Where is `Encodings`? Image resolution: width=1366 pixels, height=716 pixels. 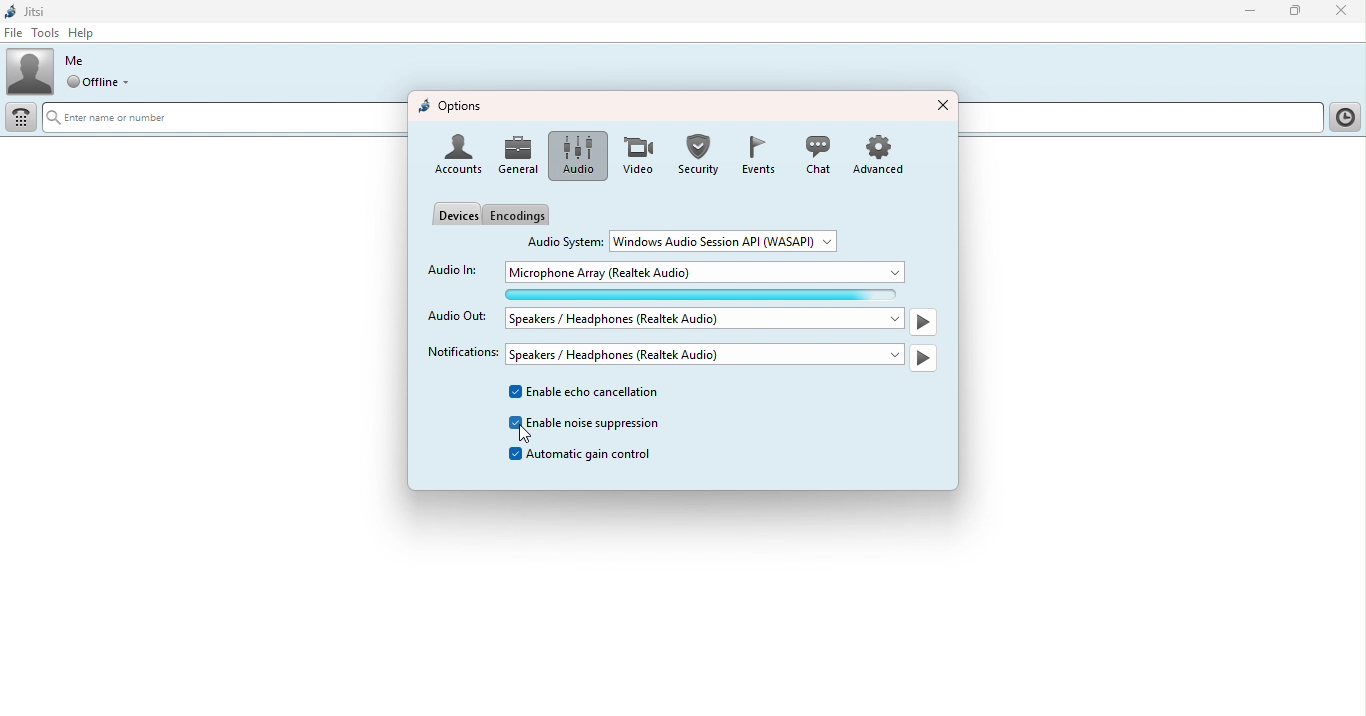 Encodings is located at coordinates (524, 215).